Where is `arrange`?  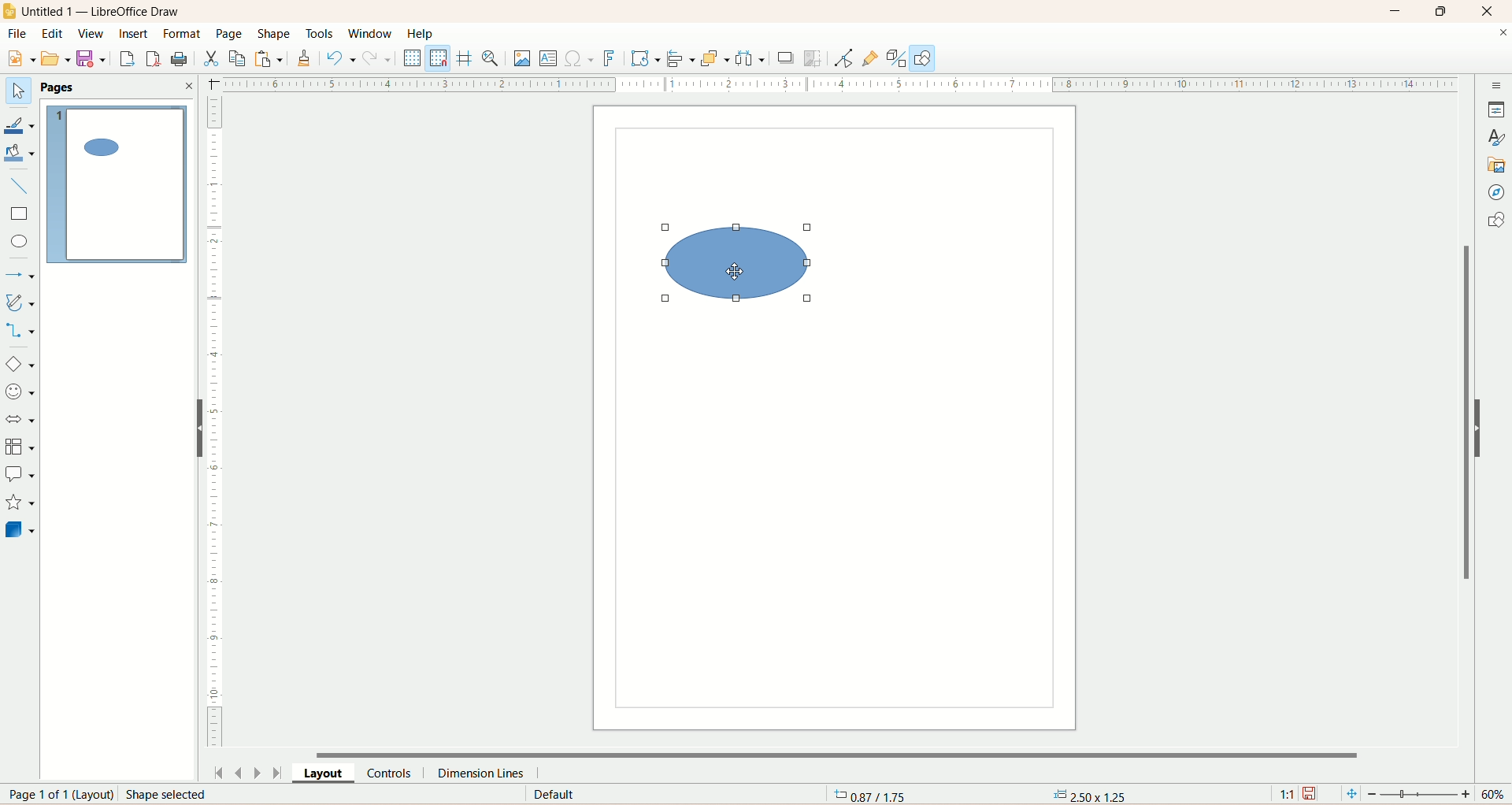
arrange is located at coordinates (715, 60).